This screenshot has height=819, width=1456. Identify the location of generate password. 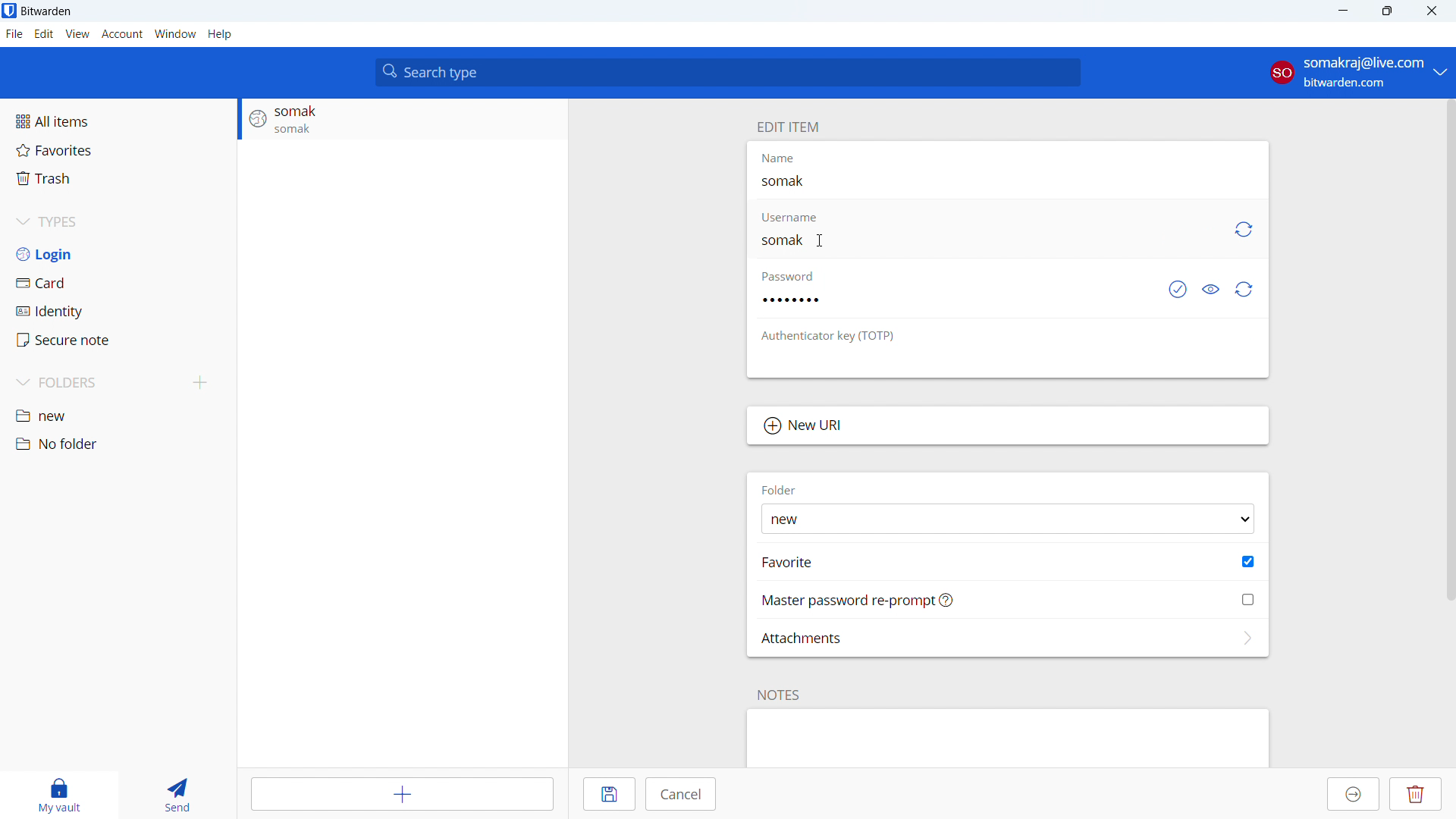
(1244, 289).